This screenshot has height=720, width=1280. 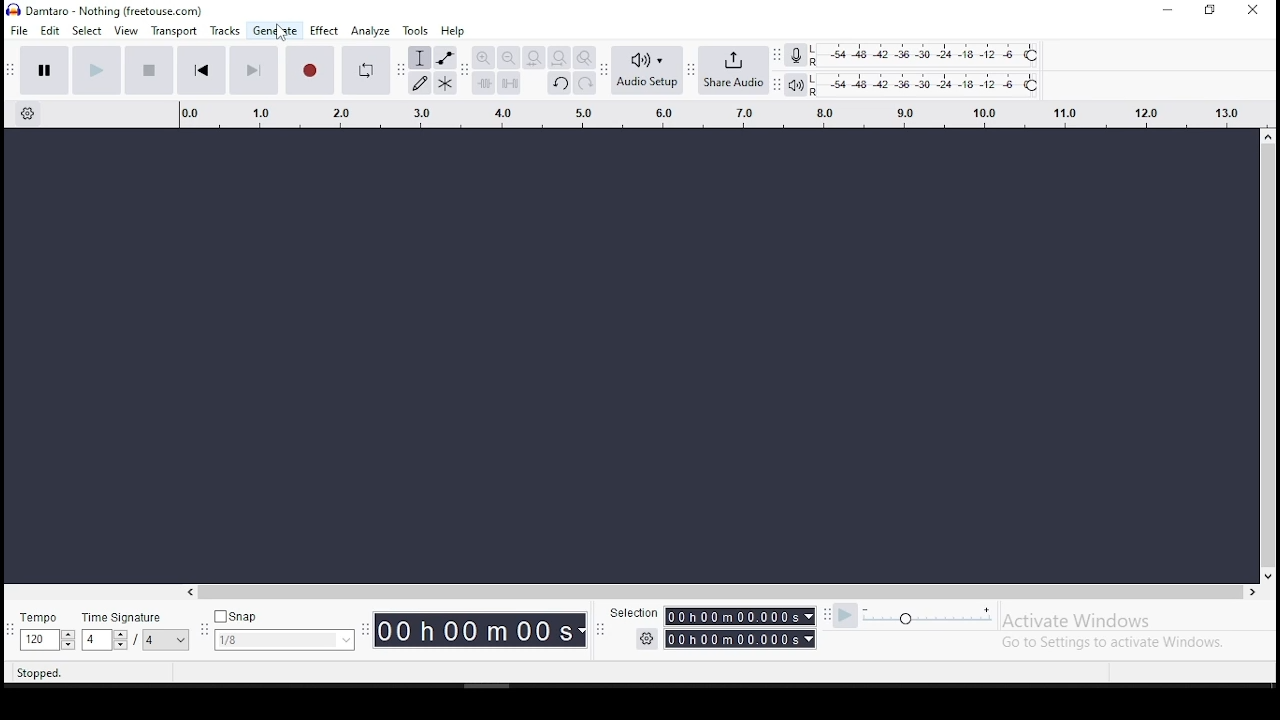 What do you see at coordinates (483, 83) in the screenshot?
I see `trim audio outside selection` at bounding box center [483, 83].